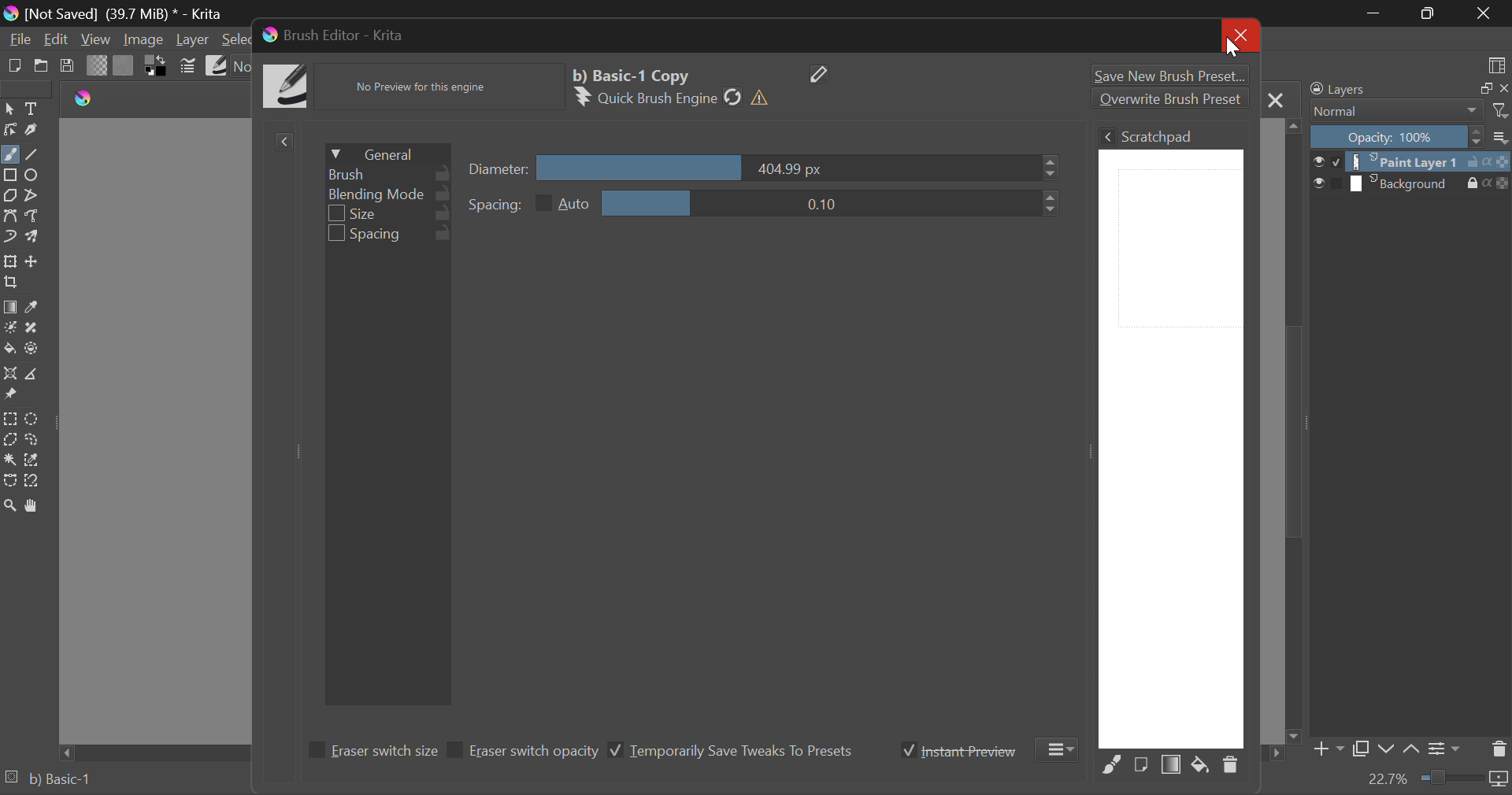  What do you see at coordinates (113, 13) in the screenshot?
I see `(Not Saved) (39,7 MB)* -Krita` at bounding box center [113, 13].